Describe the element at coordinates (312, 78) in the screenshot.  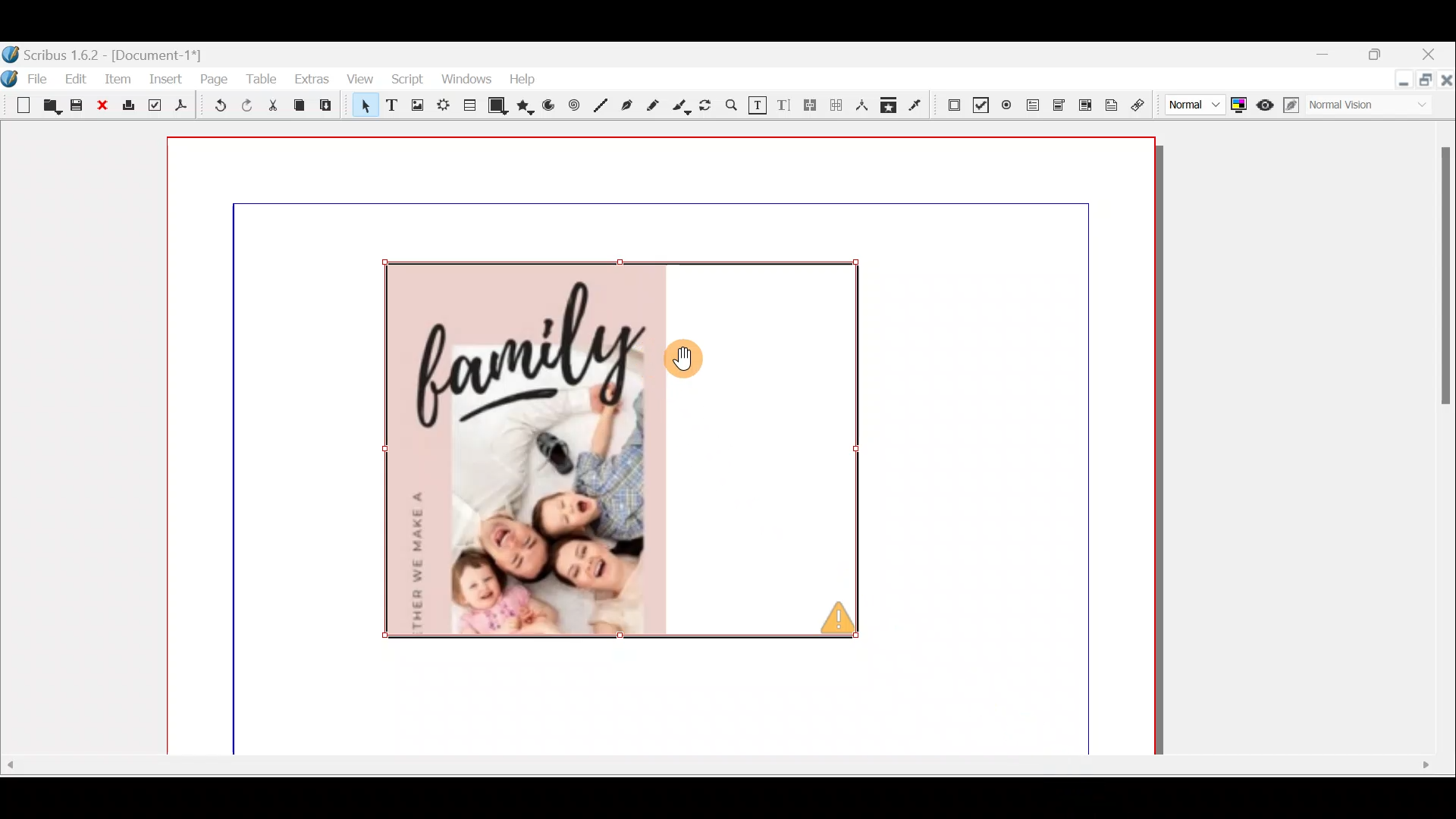
I see `Extras` at that location.